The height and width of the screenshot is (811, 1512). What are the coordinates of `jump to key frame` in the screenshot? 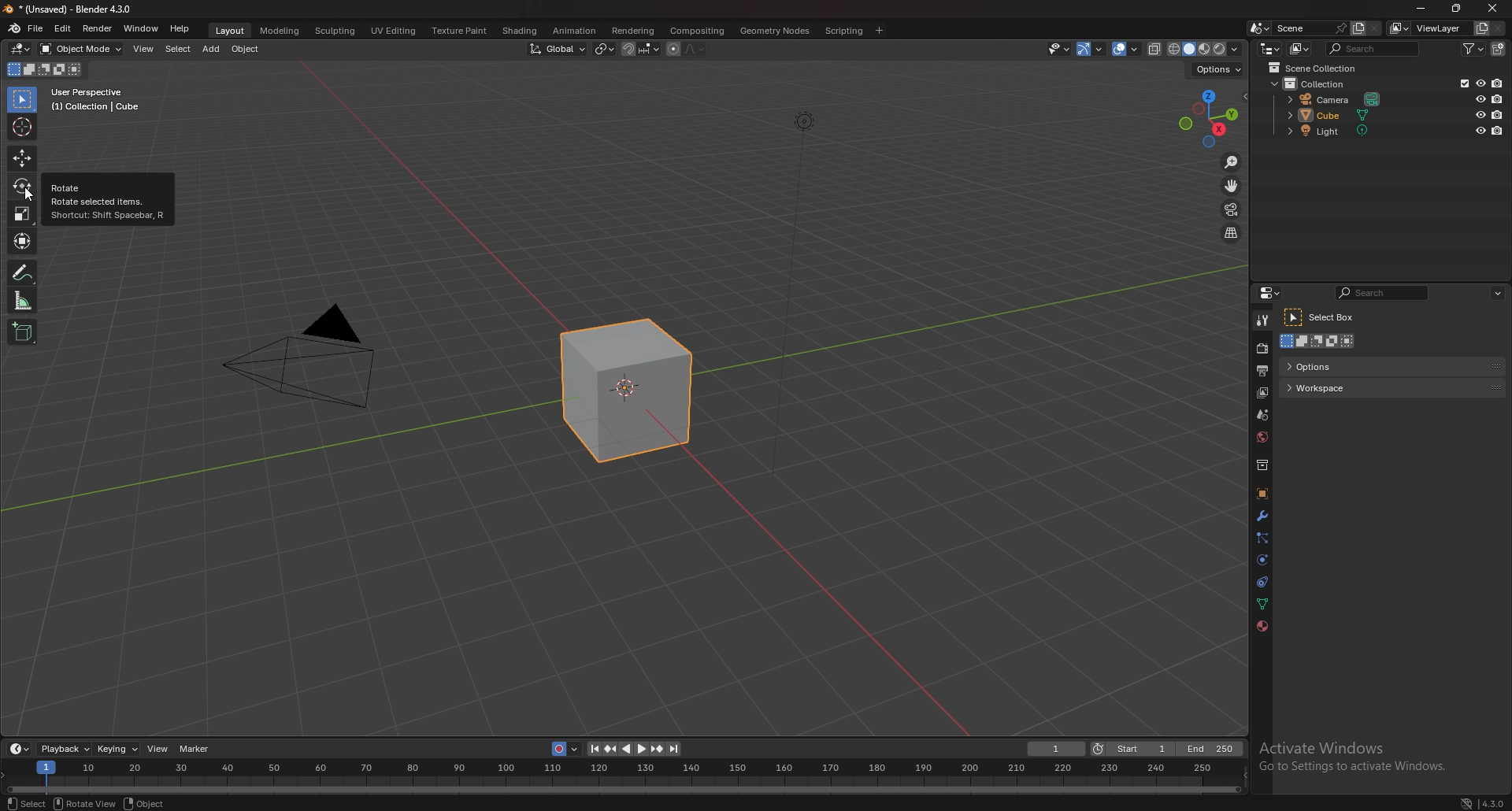 It's located at (658, 750).